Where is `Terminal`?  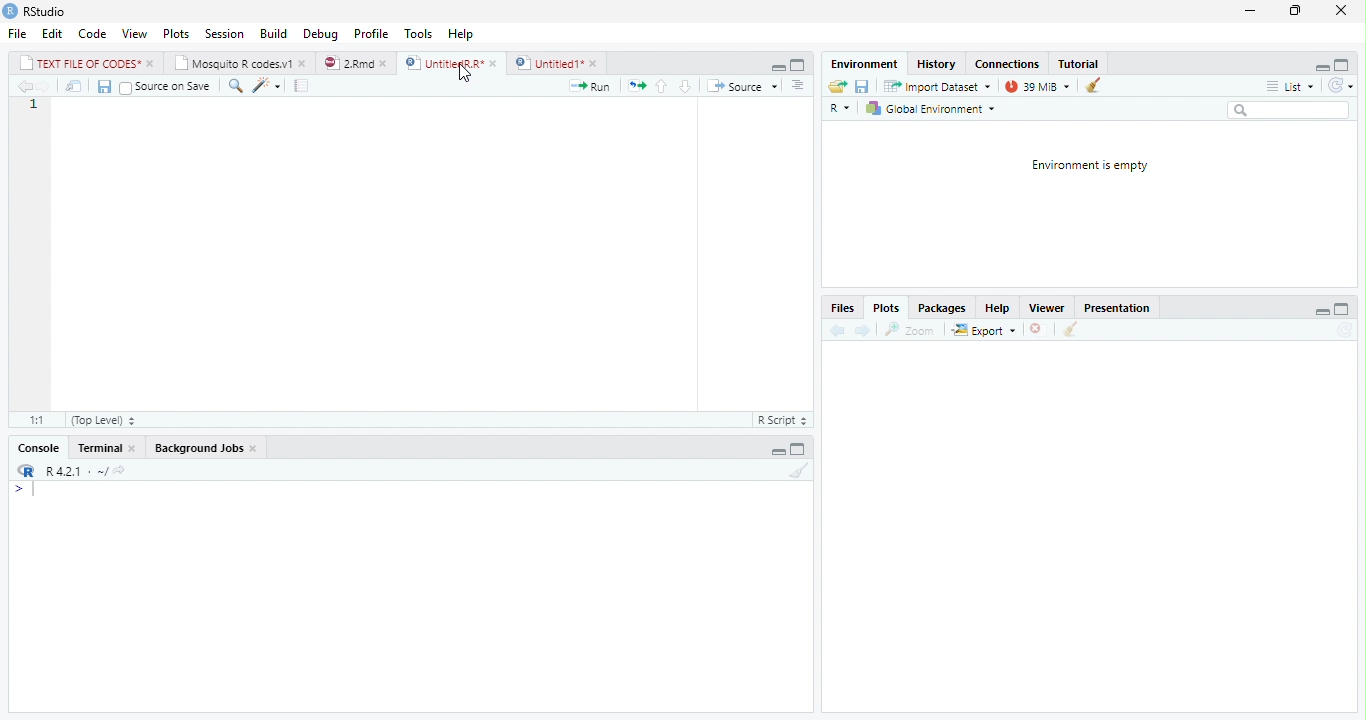 Terminal is located at coordinates (105, 449).